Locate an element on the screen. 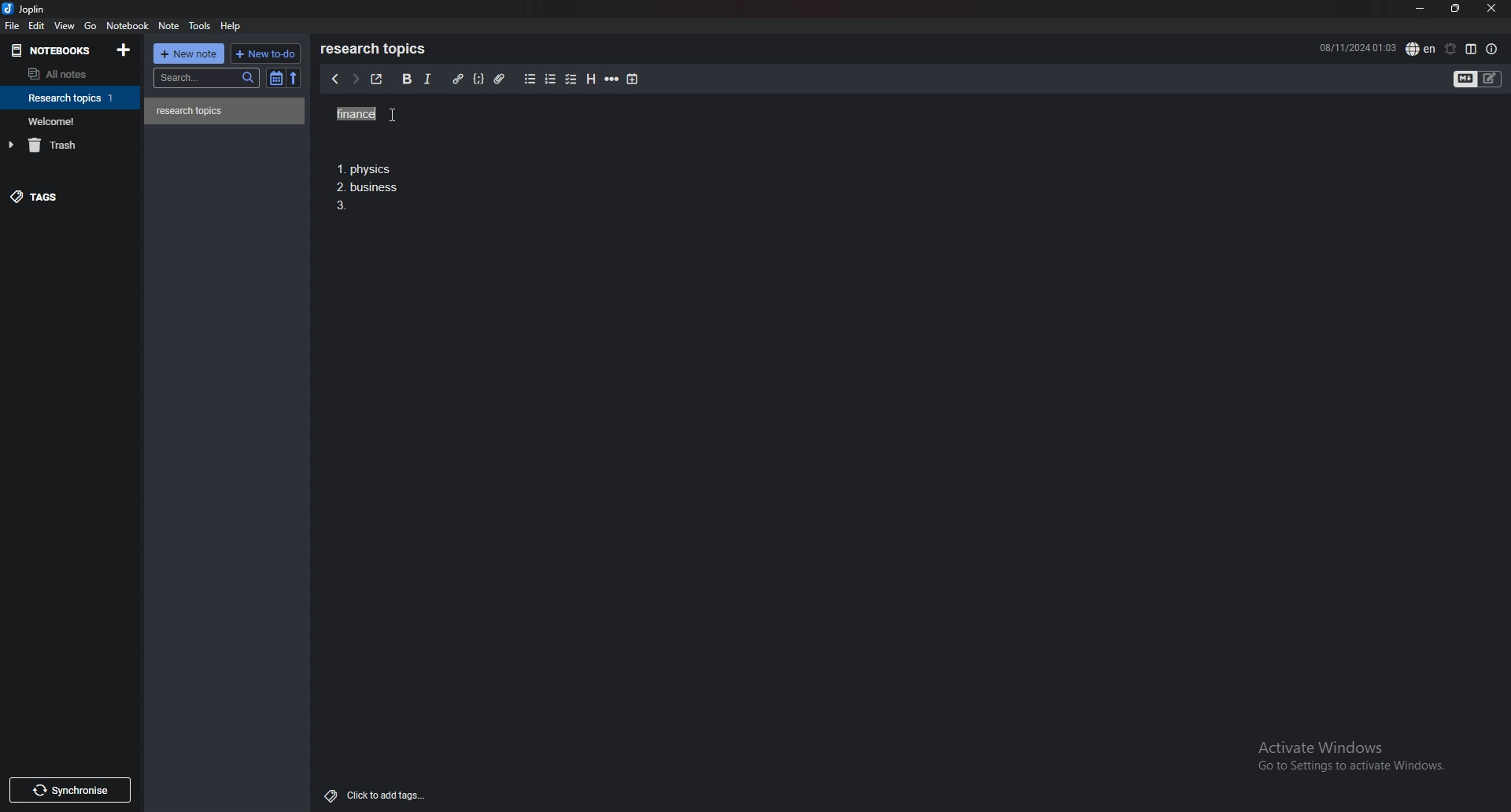 This screenshot has height=812, width=1511. trash is located at coordinates (73, 145).